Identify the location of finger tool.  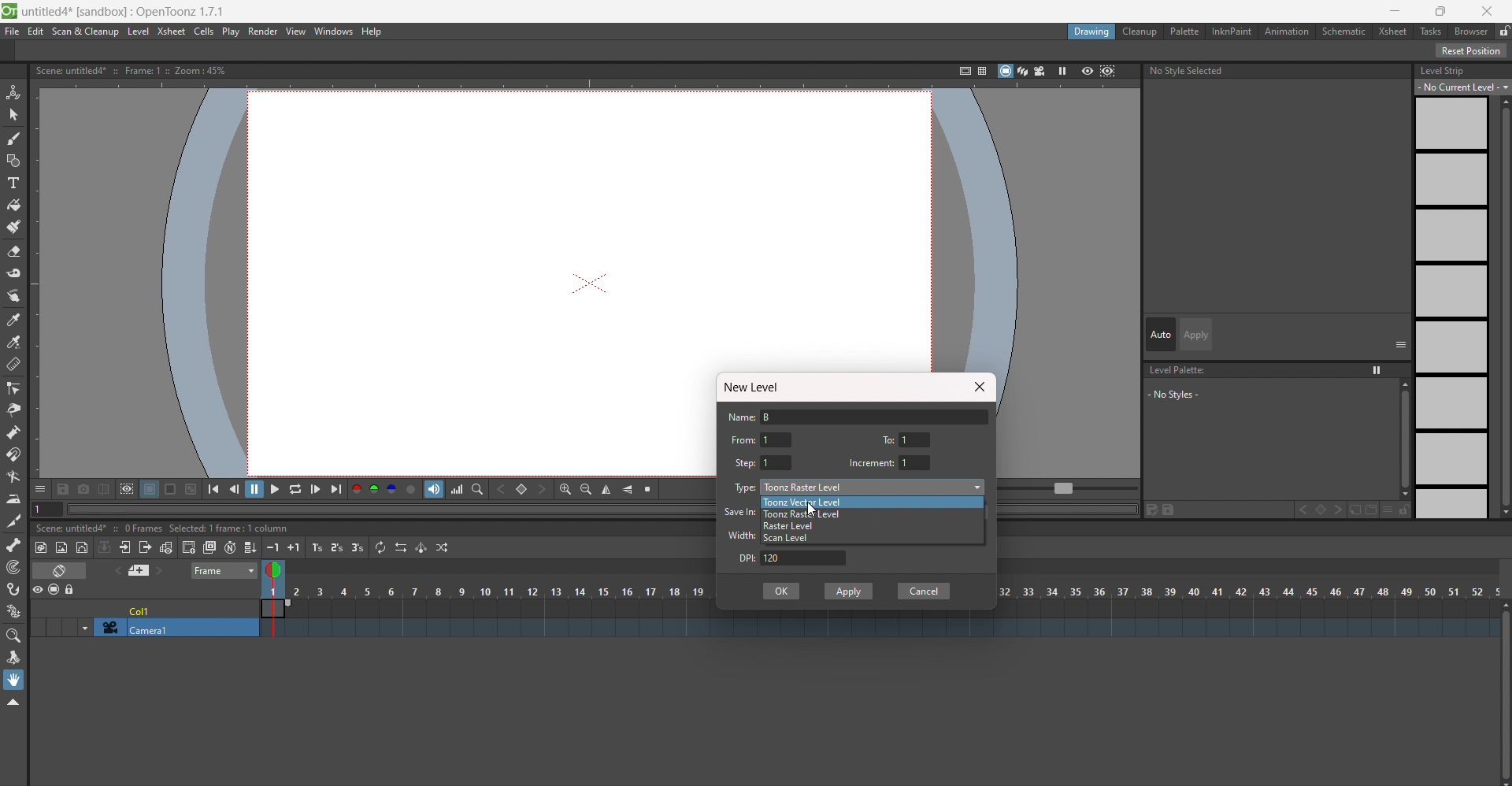
(13, 297).